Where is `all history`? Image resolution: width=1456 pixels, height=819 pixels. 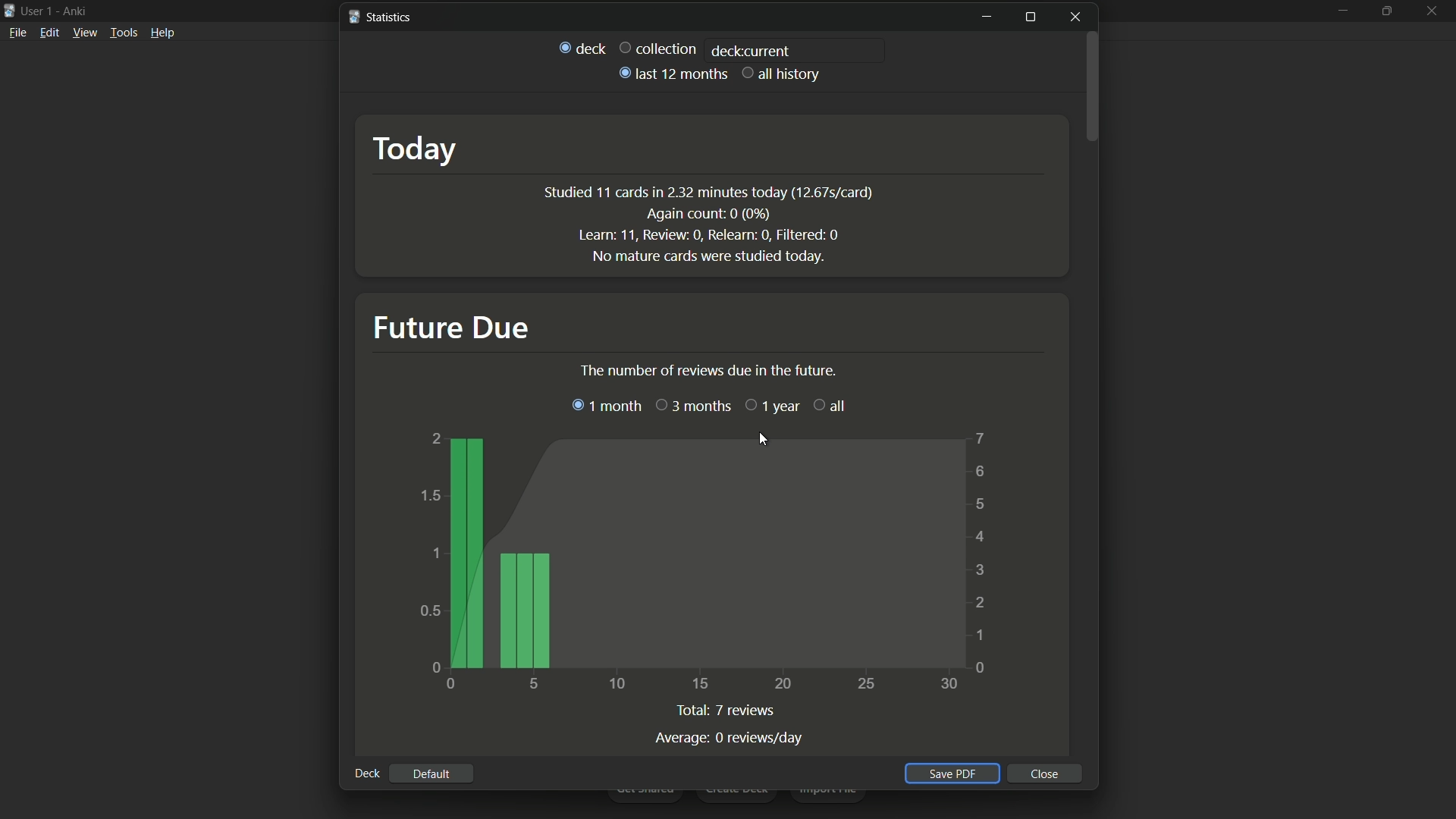
all history is located at coordinates (782, 73).